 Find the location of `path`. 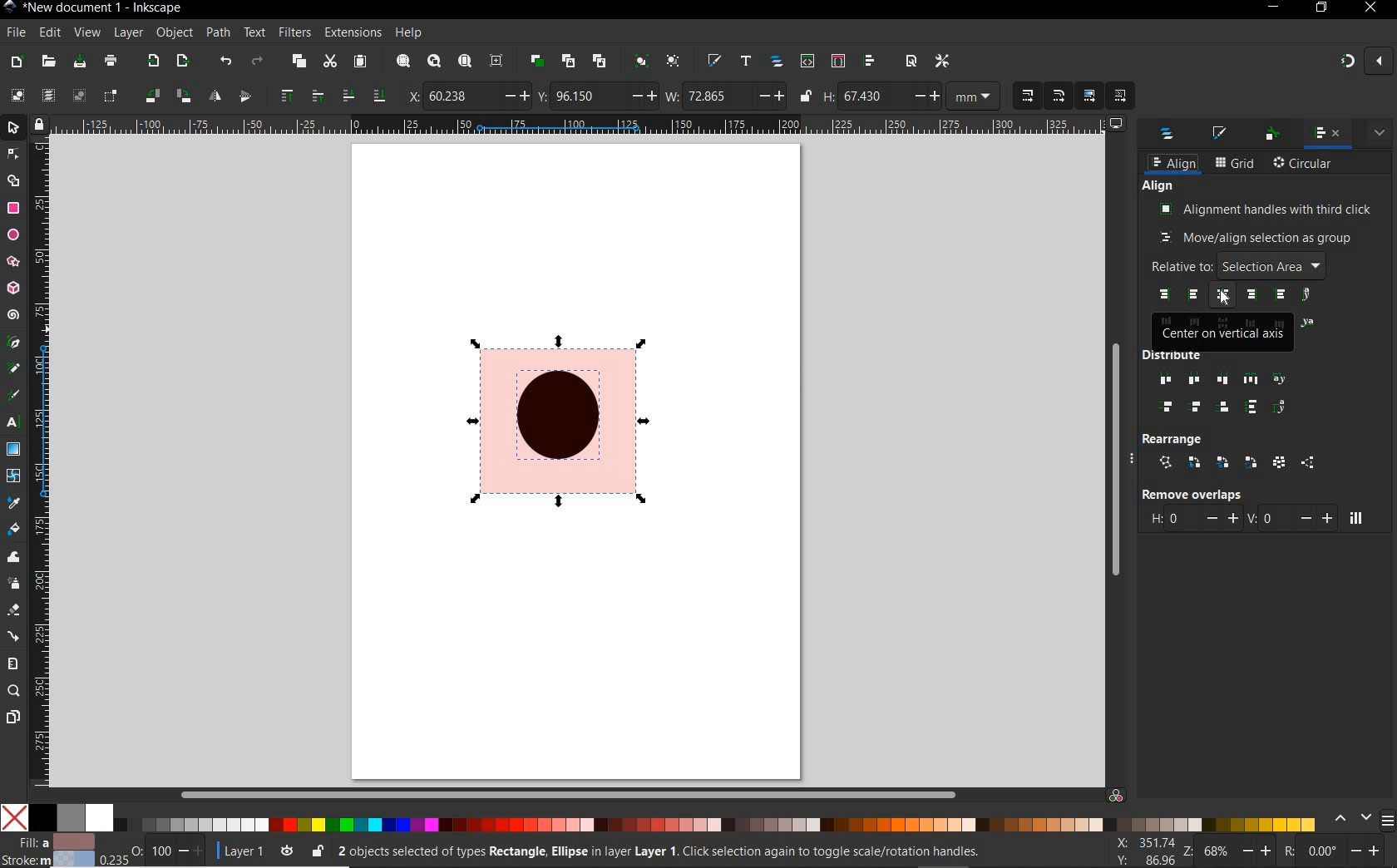

path is located at coordinates (218, 33).